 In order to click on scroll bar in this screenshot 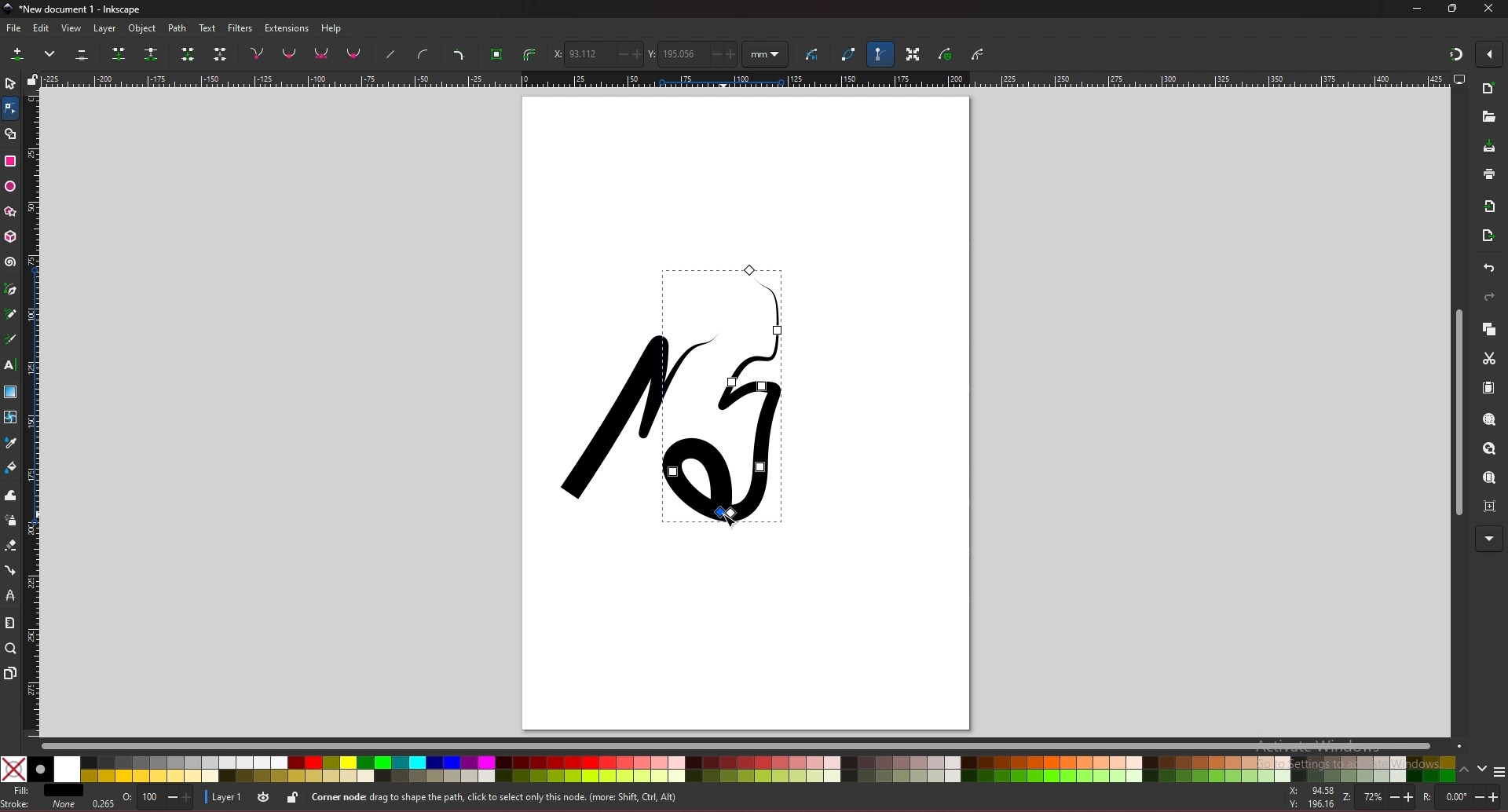, I will do `click(751, 747)`.